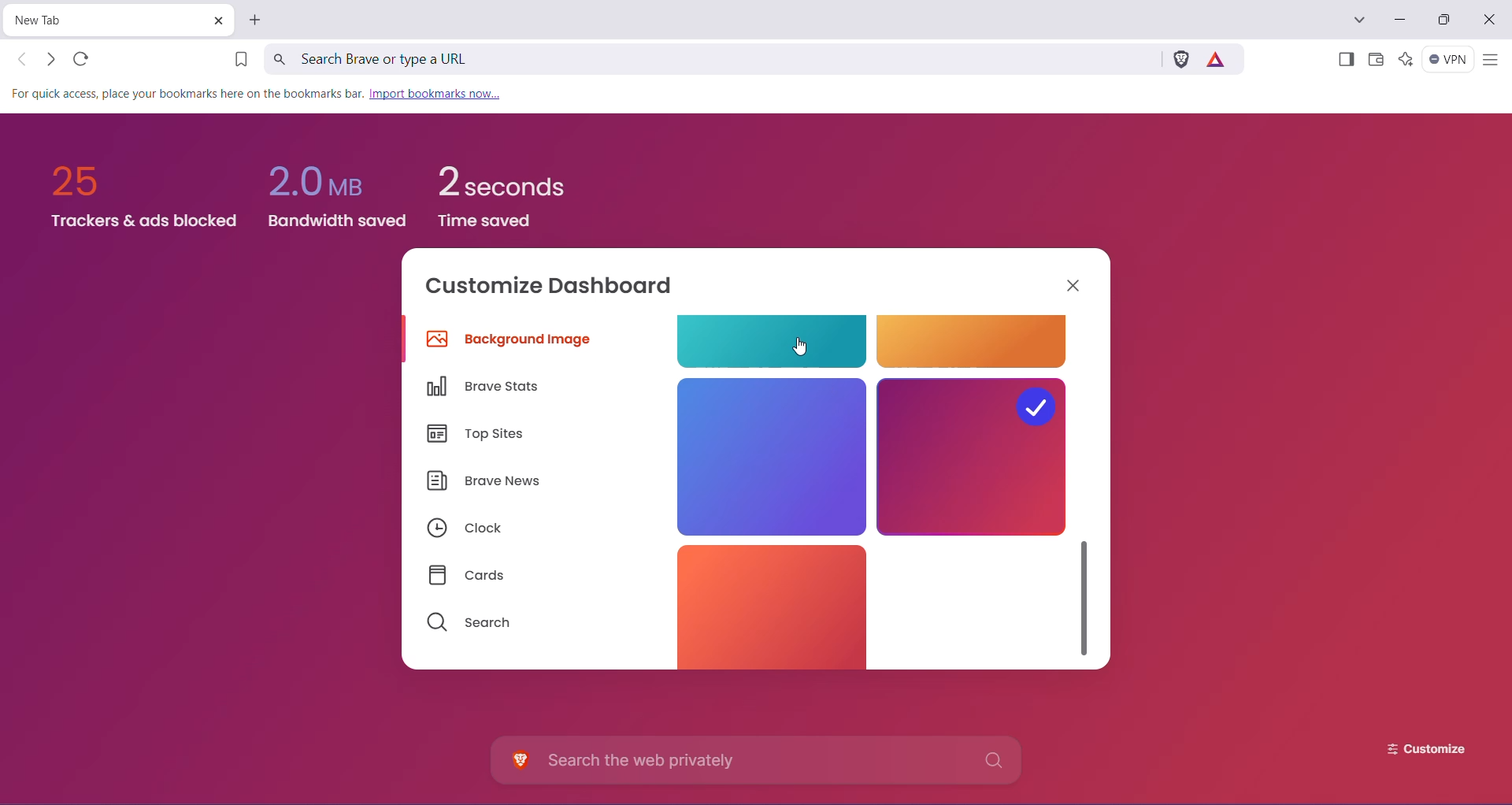  I want to click on Show Sidebar, so click(1344, 61).